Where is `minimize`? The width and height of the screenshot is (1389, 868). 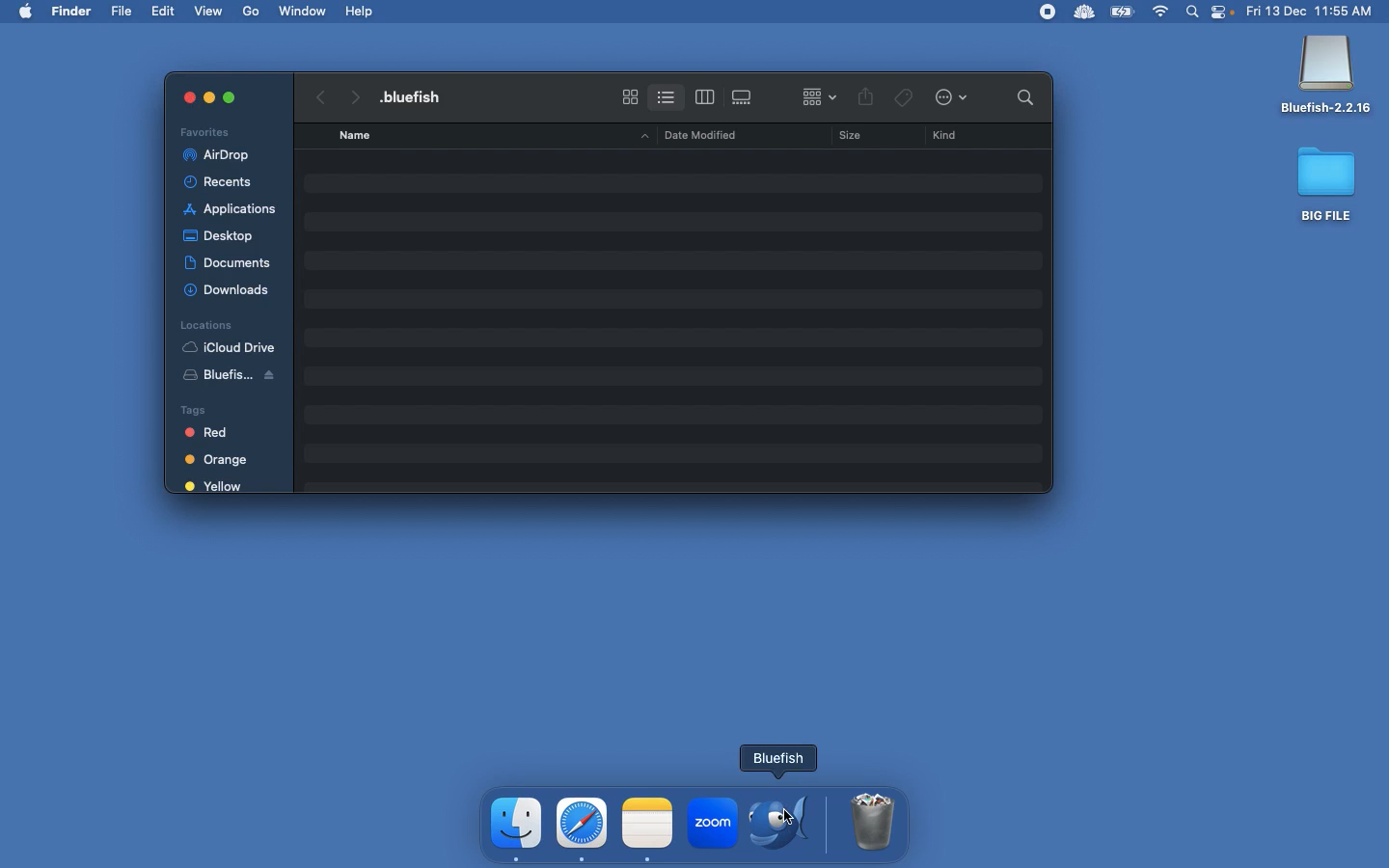
minimize is located at coordinates (208, 100).